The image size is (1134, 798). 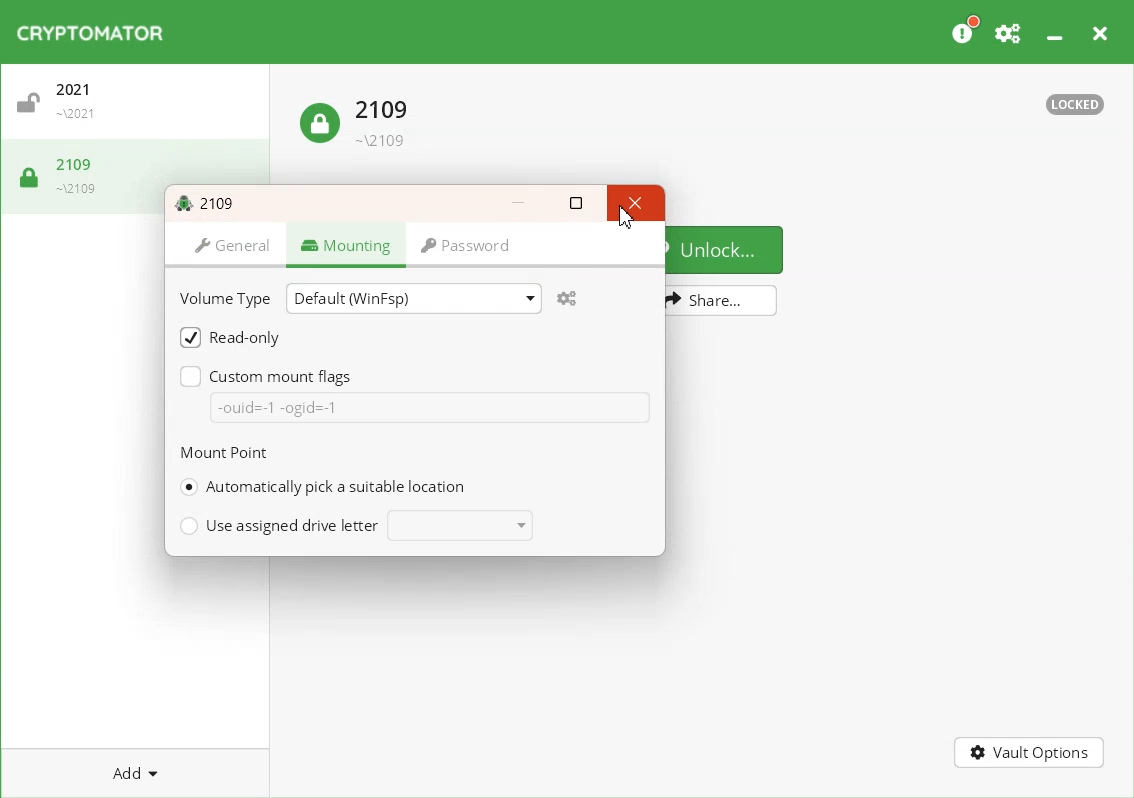 I want to click on close, so click(x=633, y=202).